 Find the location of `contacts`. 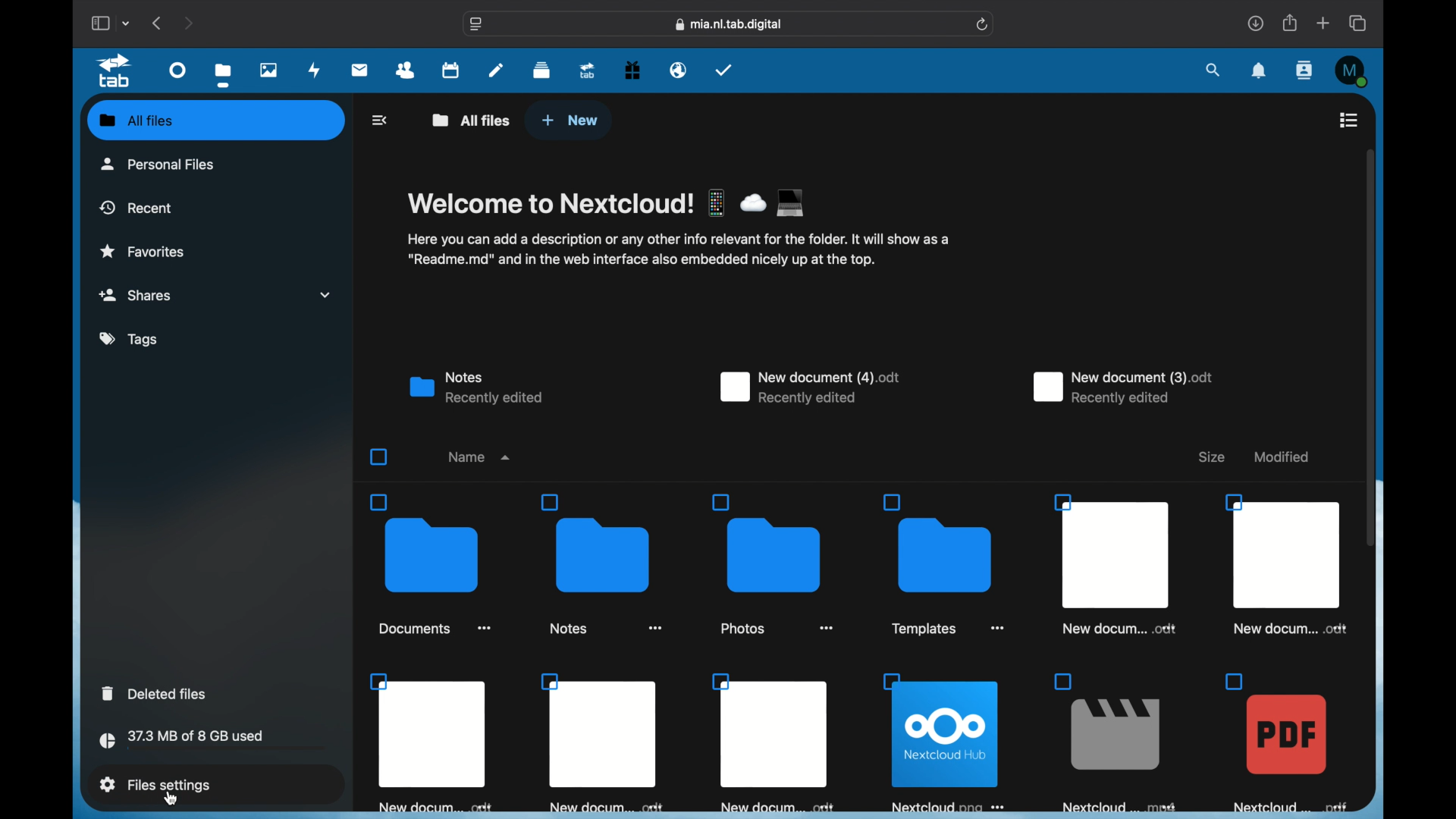

contacts is located at coordinates (1304, 71).